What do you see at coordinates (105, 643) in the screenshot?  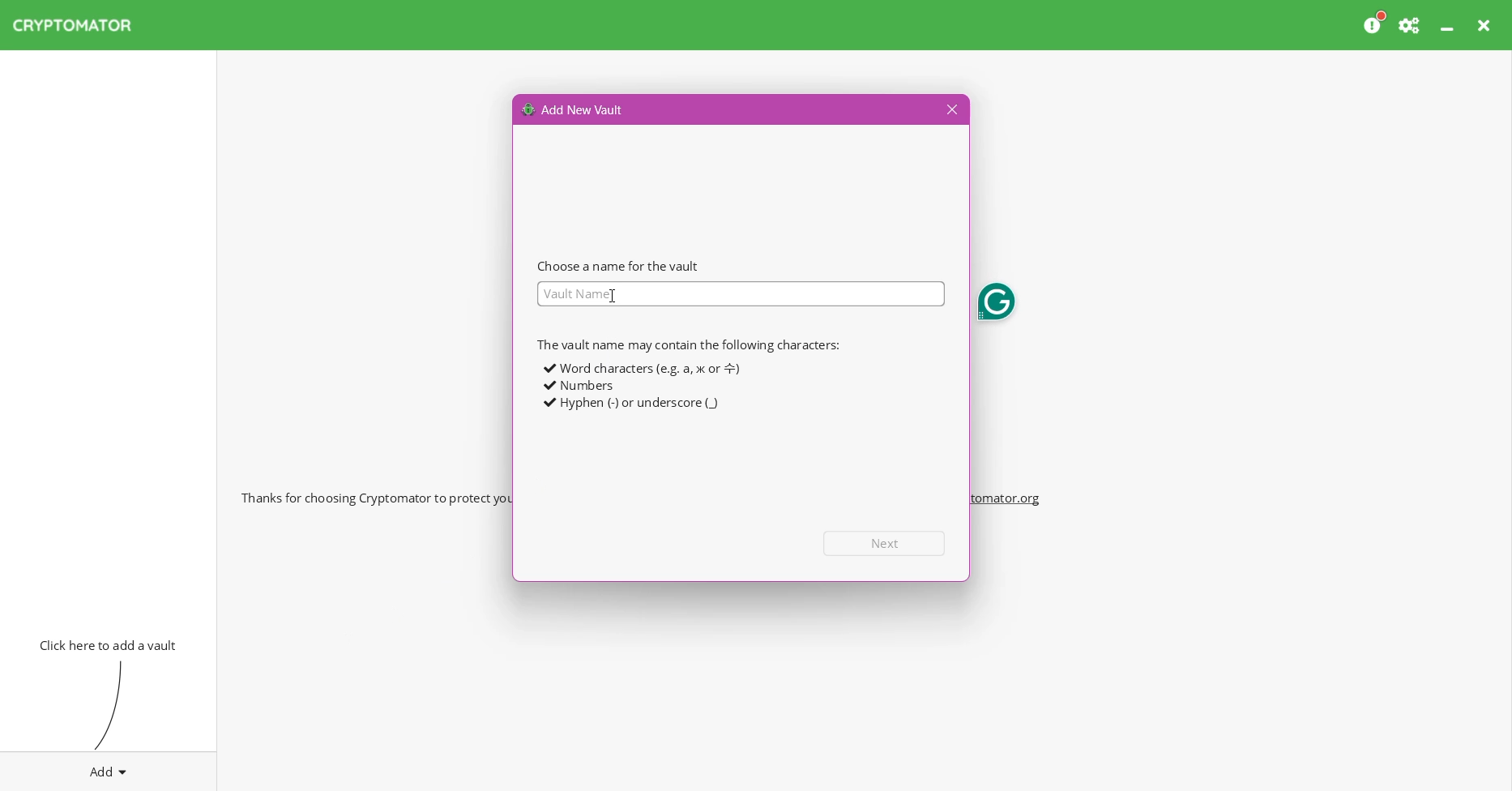 I see `Click here to add vault` at bounding box center [105, 643].